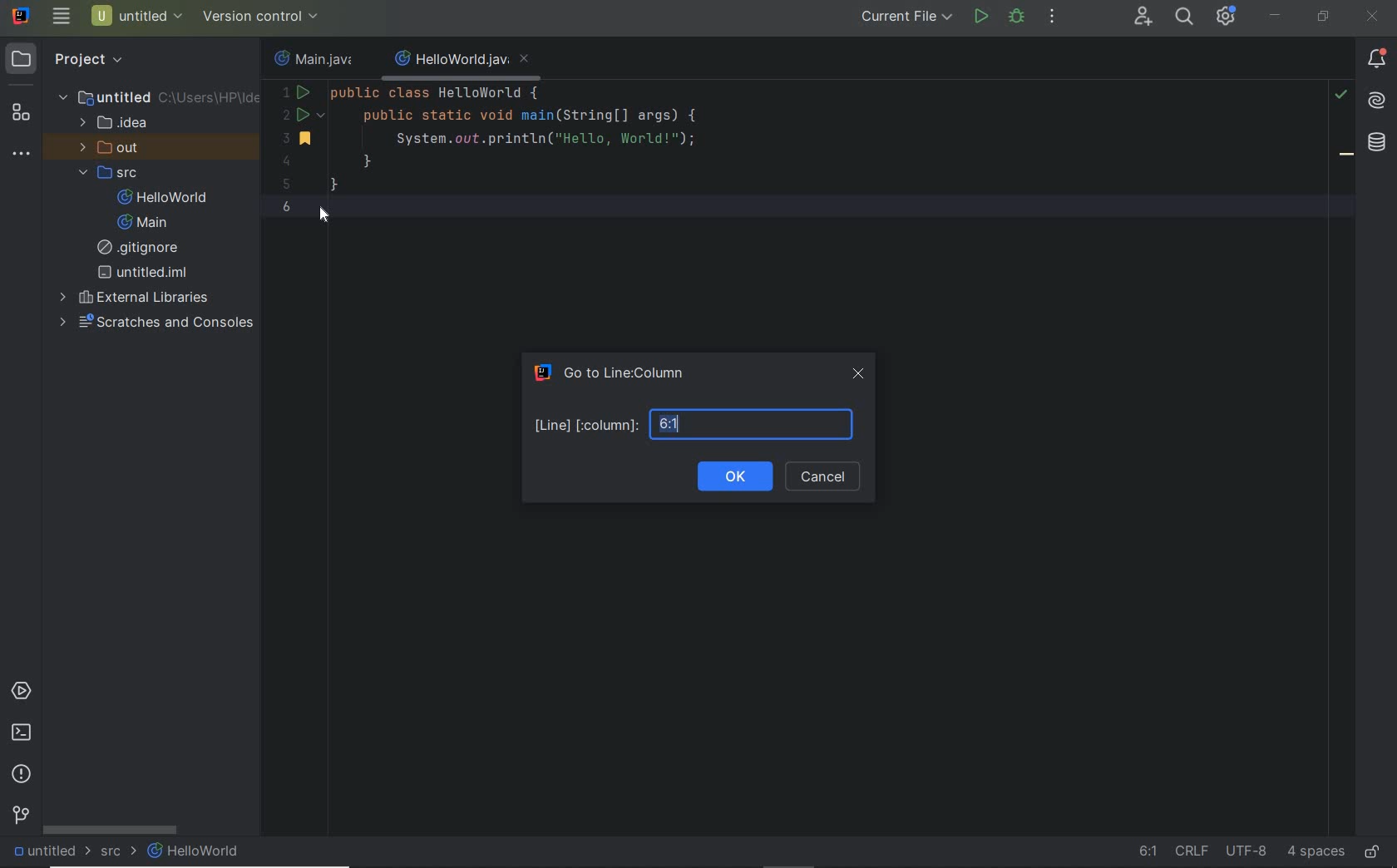 Image resolution: width=1397 pixels, height=868 pixels. Describe the element at coordinates (111, 830) in the screenshot. I see `scrollbar` at that location.